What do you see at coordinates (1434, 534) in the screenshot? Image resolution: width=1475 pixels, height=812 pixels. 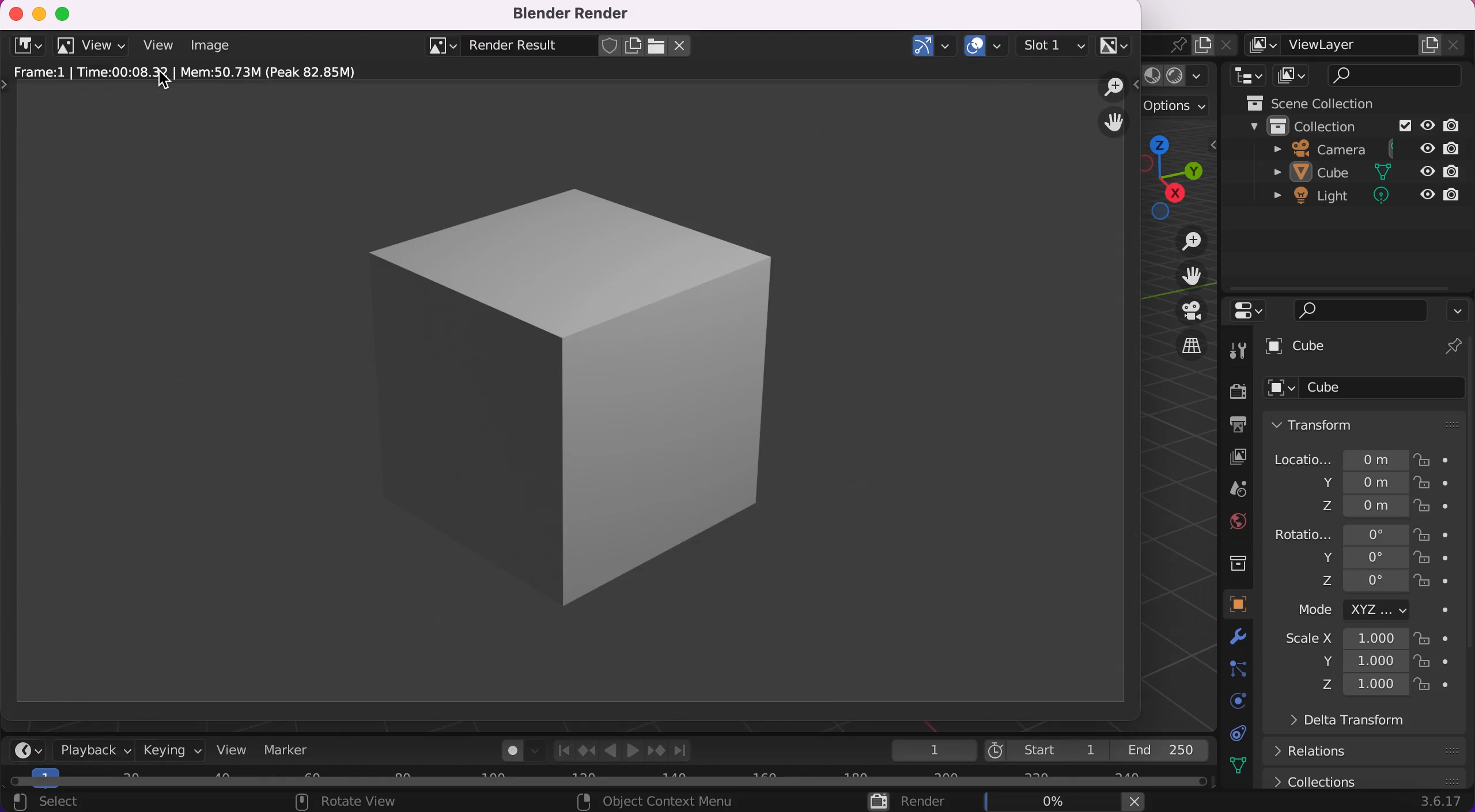 I see `lock` at bounding box center [1434, 534].